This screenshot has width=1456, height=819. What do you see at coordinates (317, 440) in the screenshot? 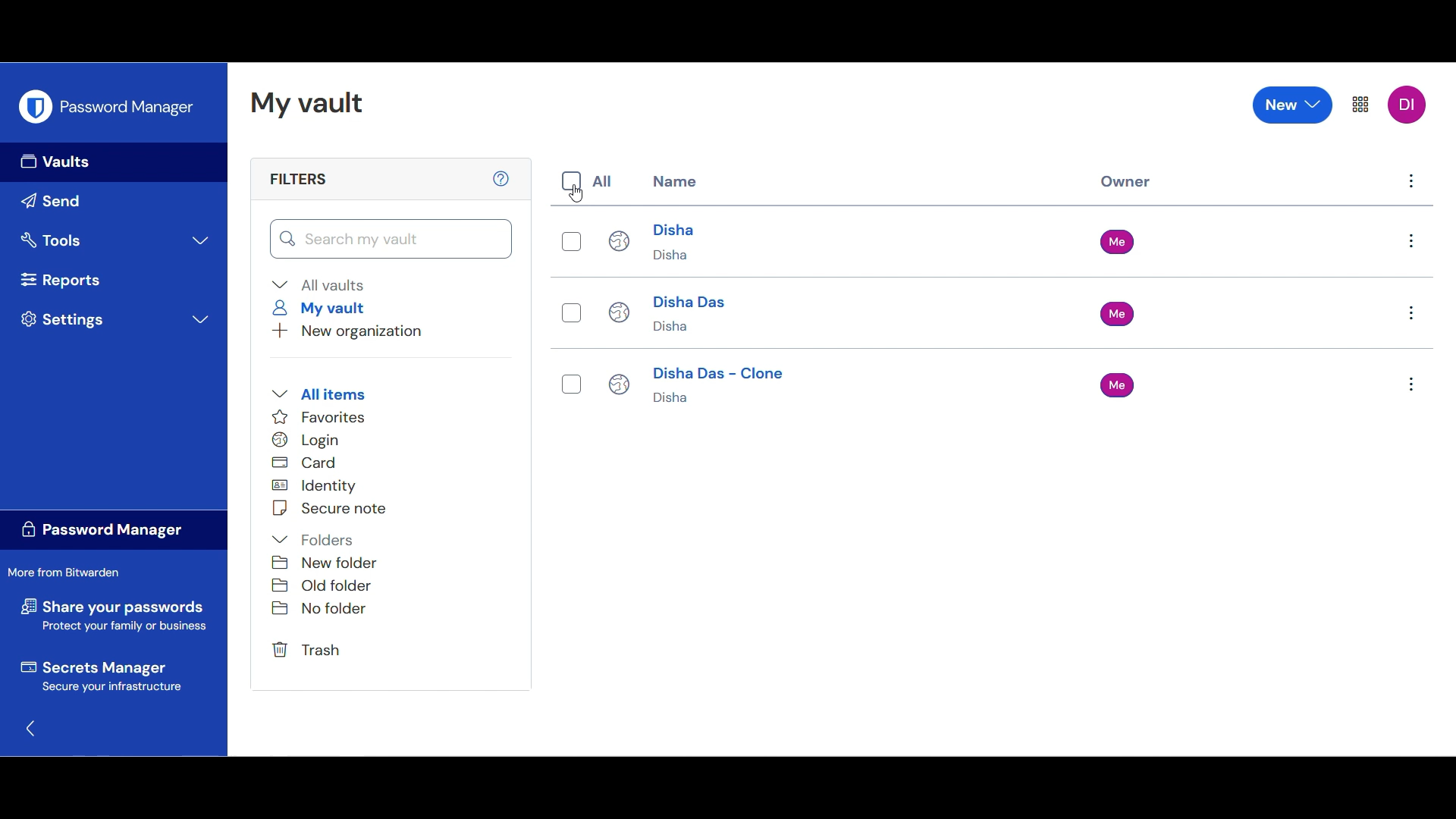
I see `Login ` at bounding box center [317, 440].